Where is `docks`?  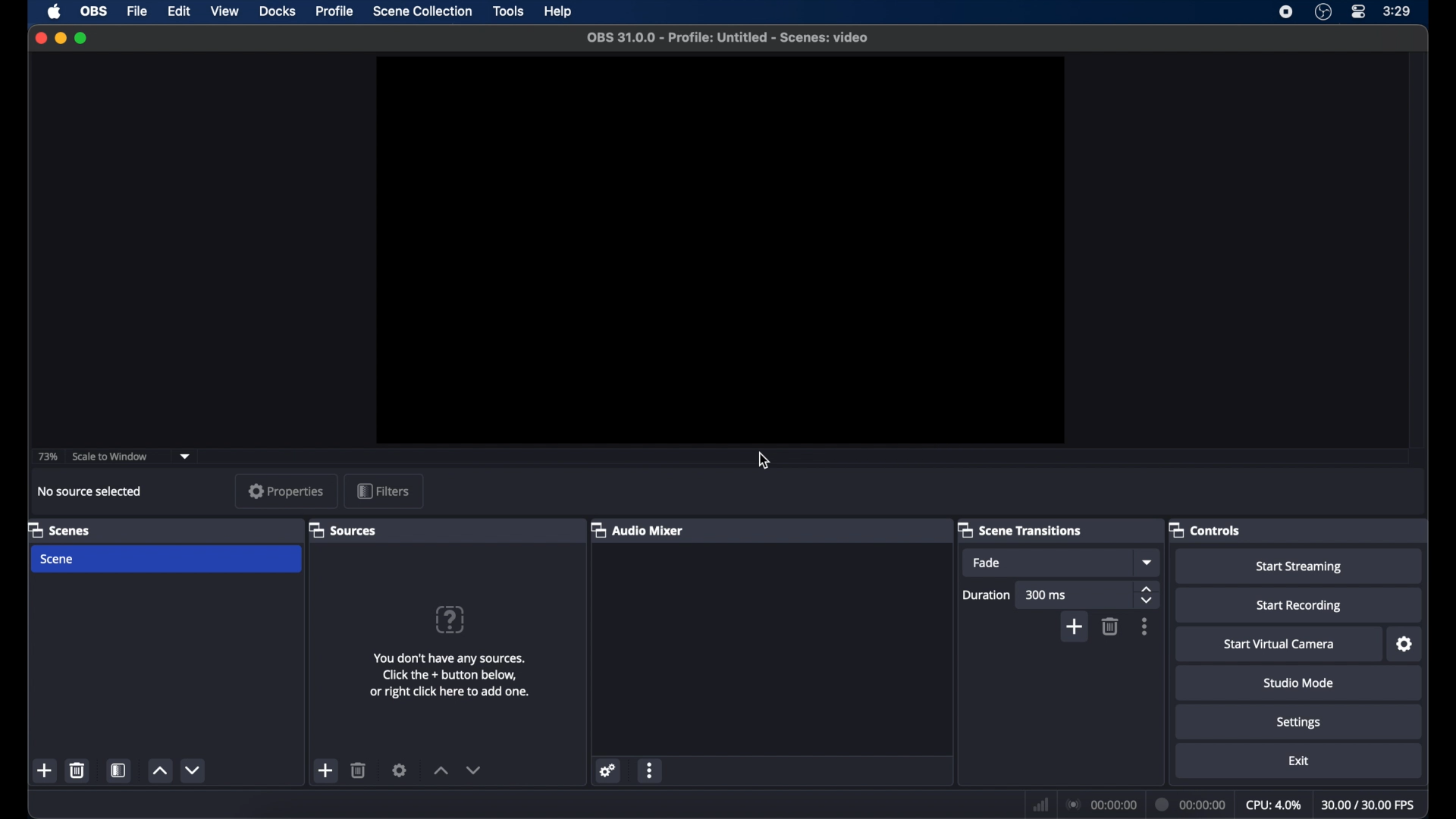 docks is located at coordinates (278, 11).